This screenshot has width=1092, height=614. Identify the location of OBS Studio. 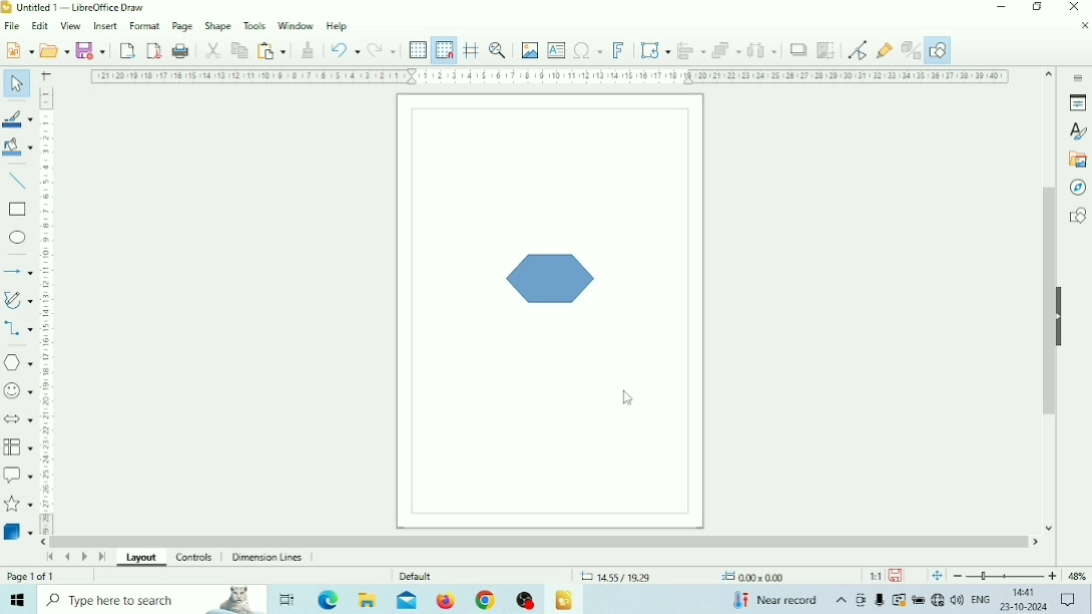
(525, 600).